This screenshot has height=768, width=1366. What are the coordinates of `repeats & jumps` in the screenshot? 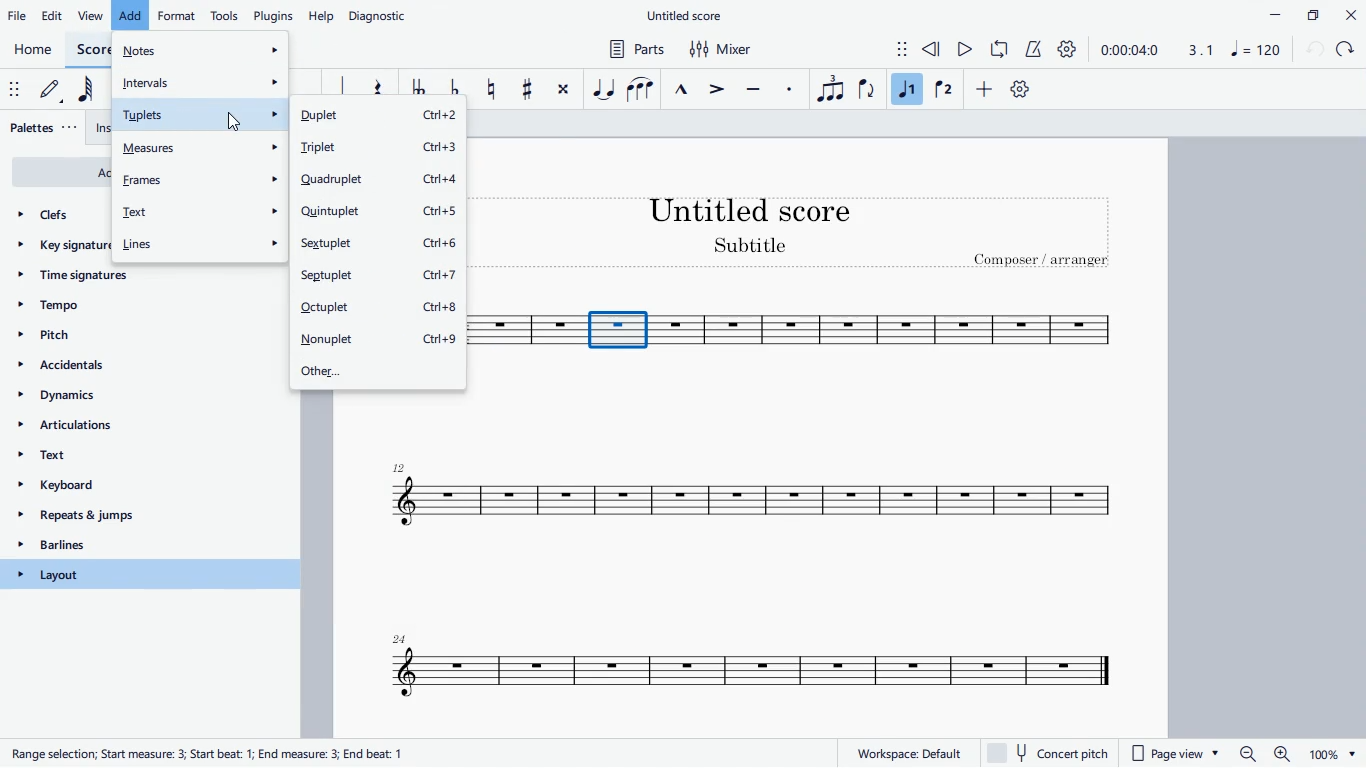 It's located at (128, 517).